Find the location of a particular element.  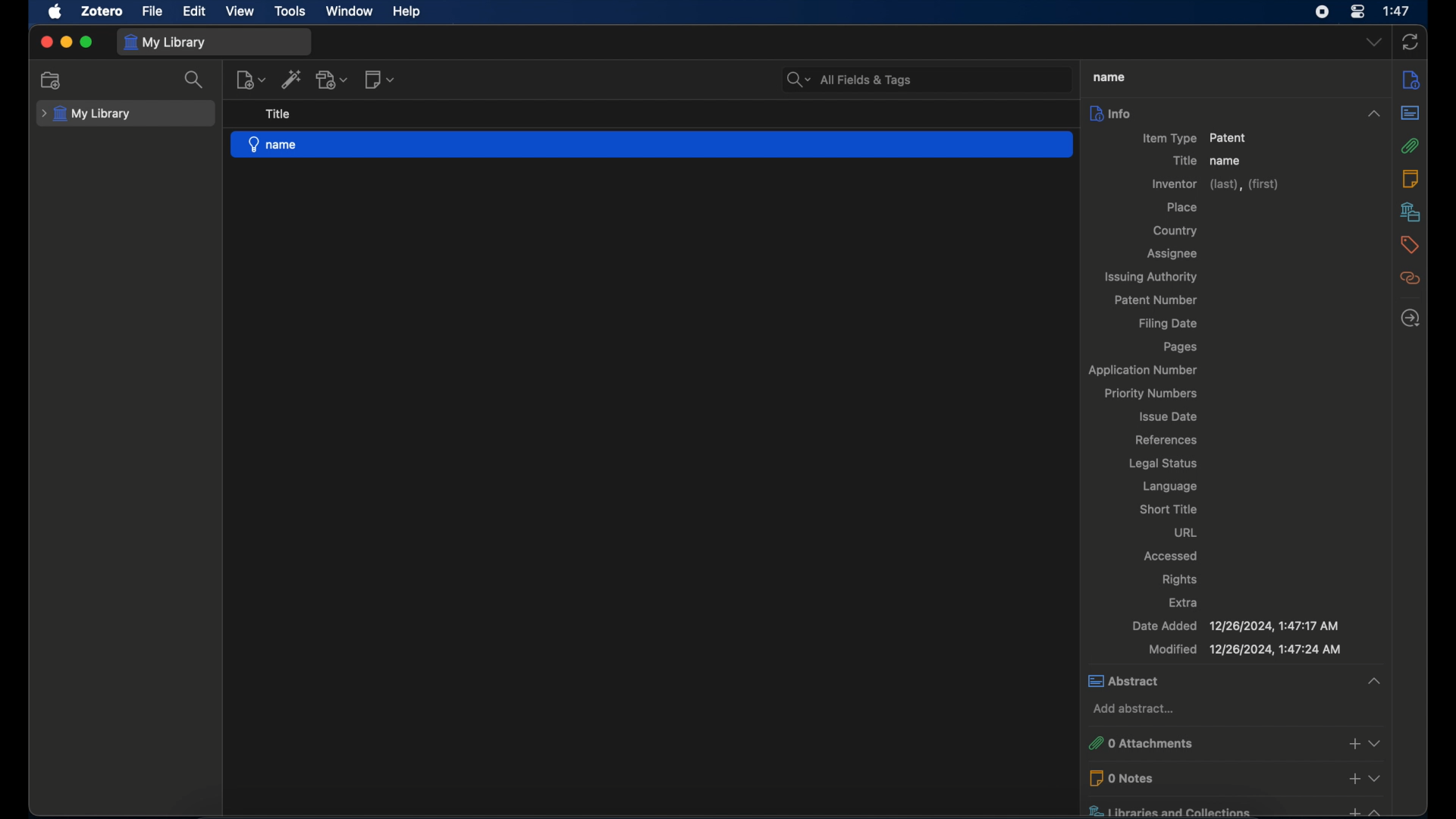

modified 12/26/2024, 1:47:17 AM is located at coordinates (1243, 649).